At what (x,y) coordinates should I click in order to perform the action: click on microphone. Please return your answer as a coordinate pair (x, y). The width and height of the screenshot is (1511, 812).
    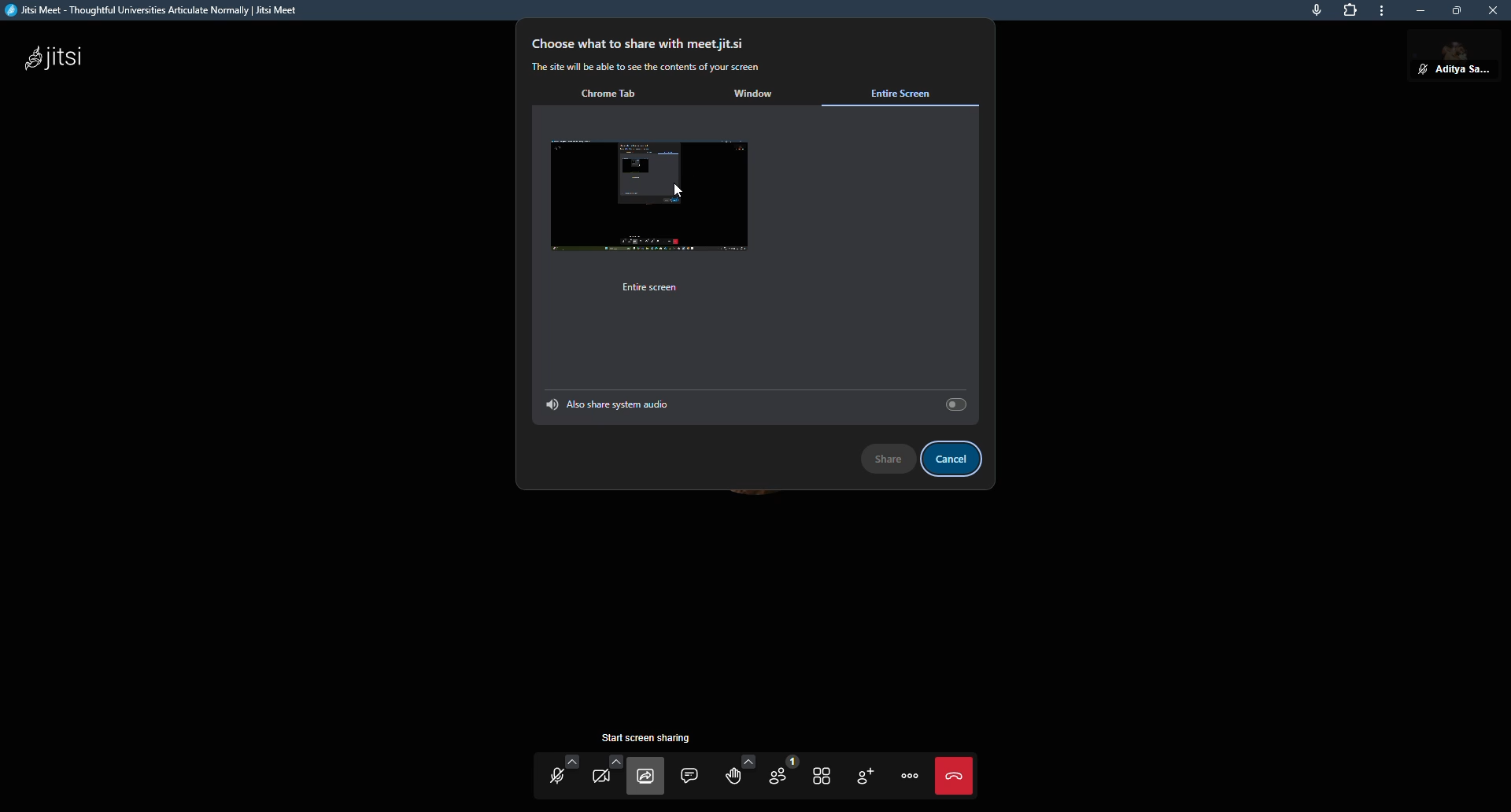
    Looking at the image, I should click on (1310, 13).